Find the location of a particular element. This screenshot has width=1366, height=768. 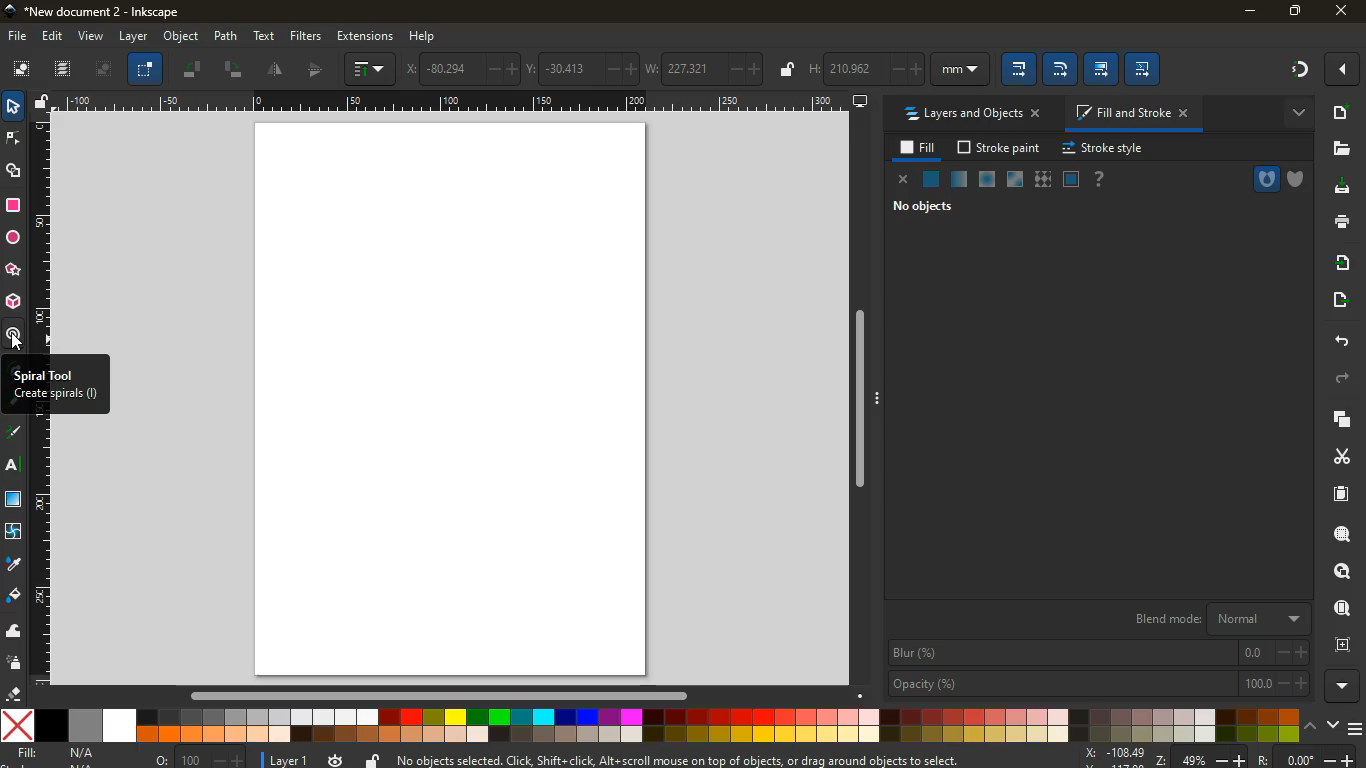

o is located at coordinates (194, 758).